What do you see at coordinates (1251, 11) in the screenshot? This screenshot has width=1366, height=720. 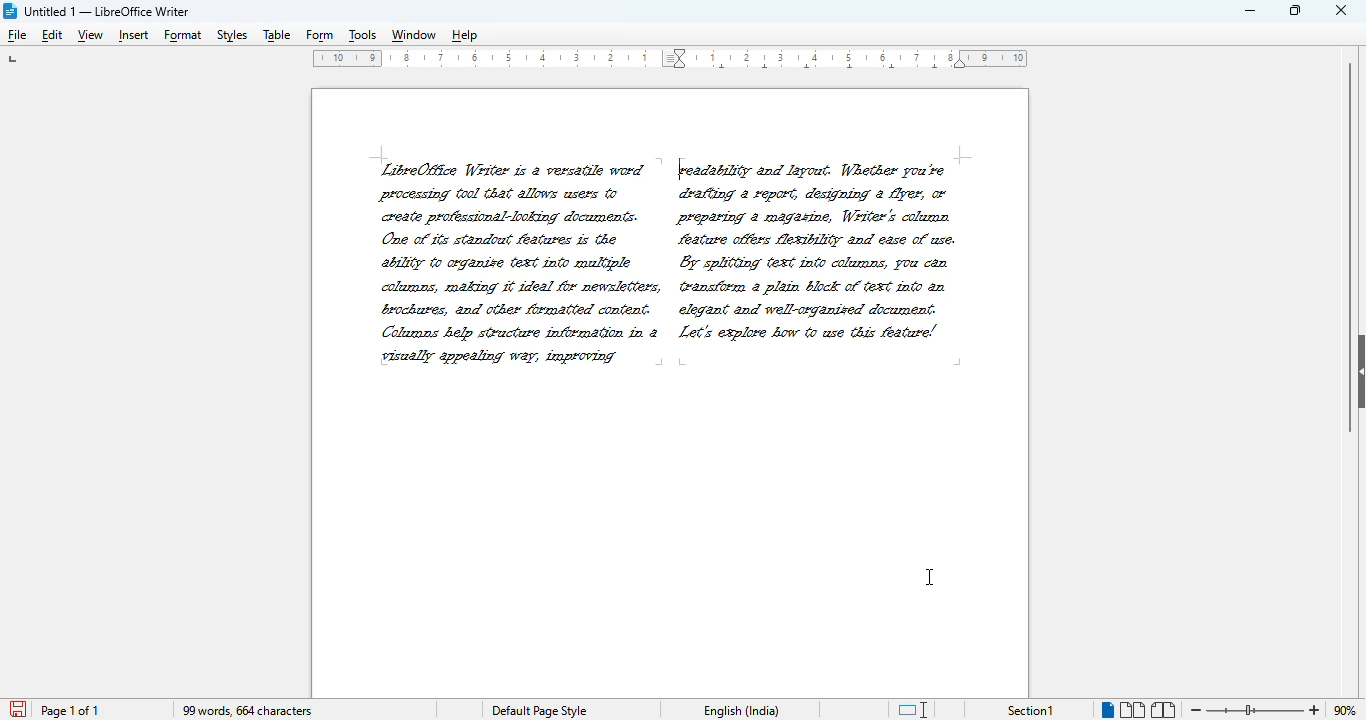 I see `minimize` at bounding box center [1251, 11].